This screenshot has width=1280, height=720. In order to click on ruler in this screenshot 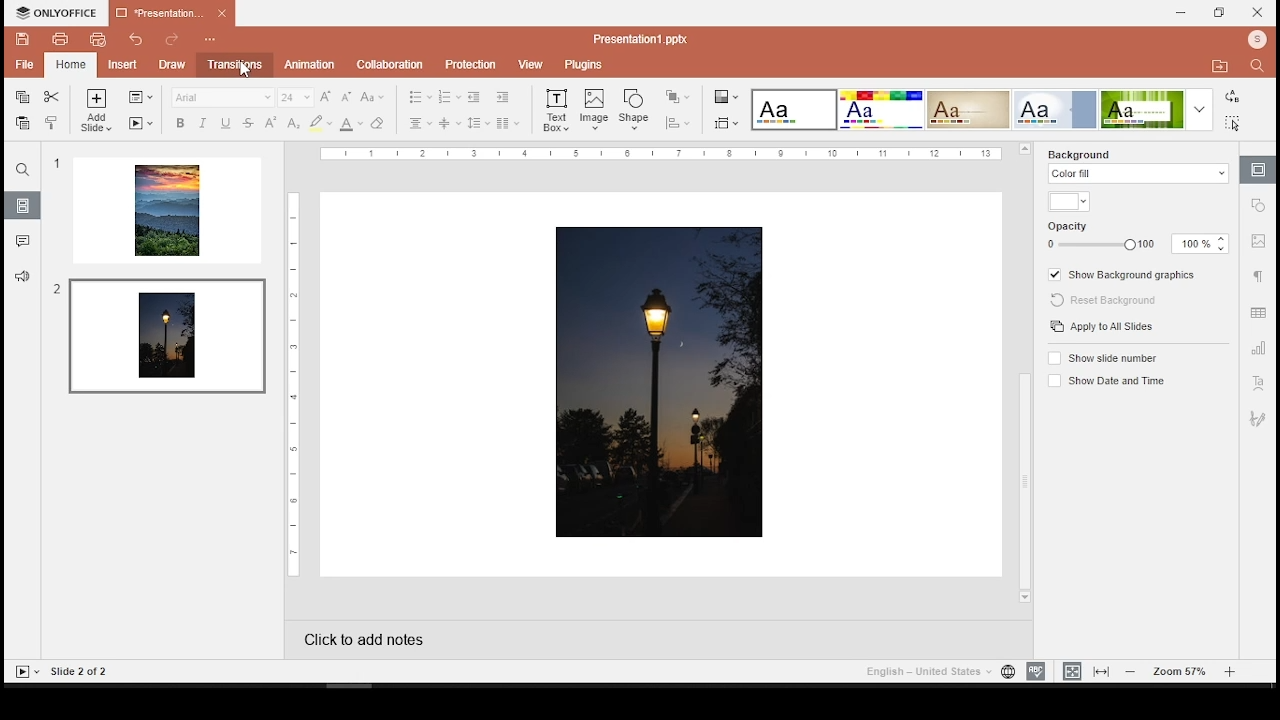, I will do `click(663, 154)`.